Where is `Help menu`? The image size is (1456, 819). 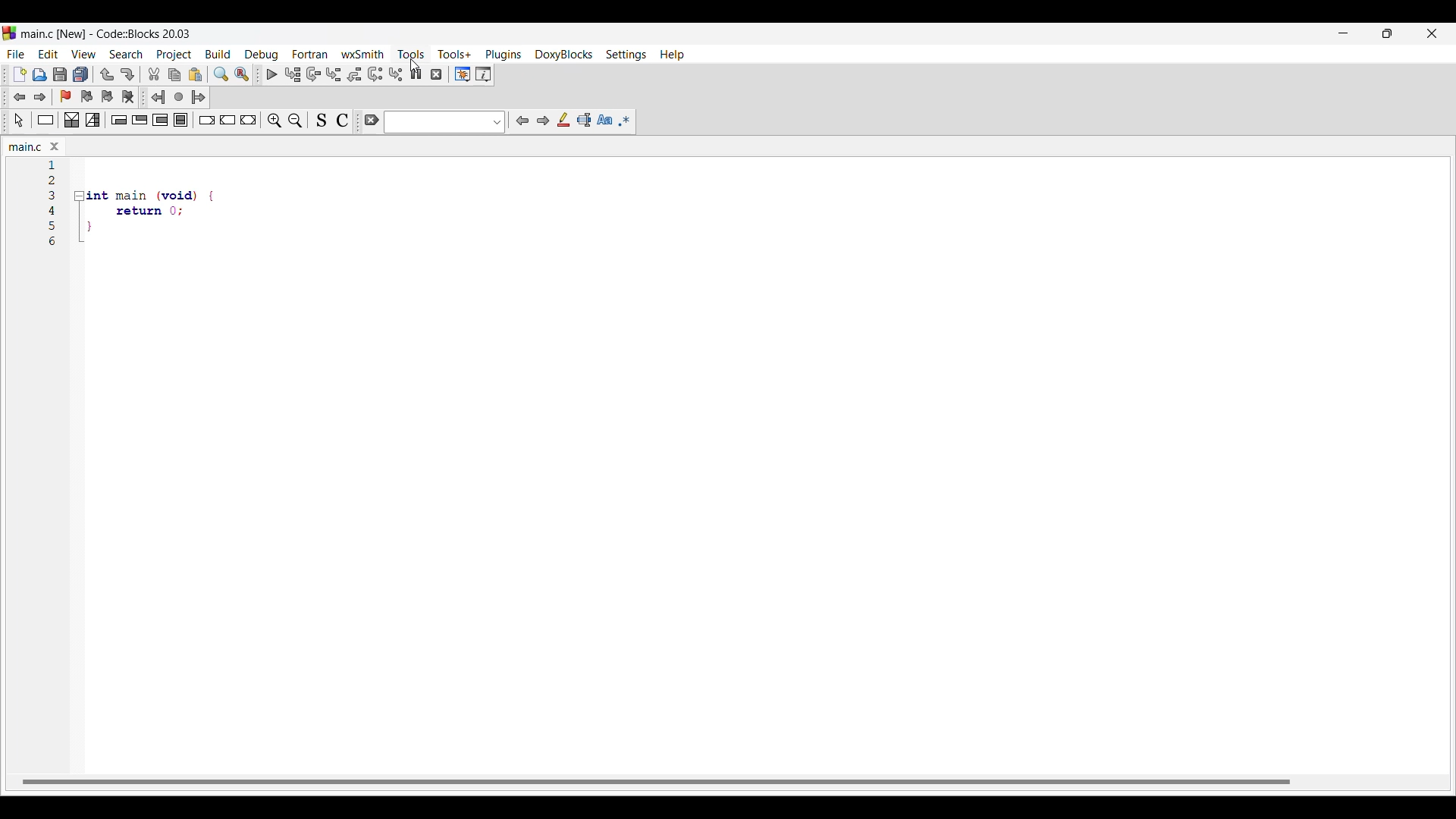
Help menu is located at coordinates (672, 55).